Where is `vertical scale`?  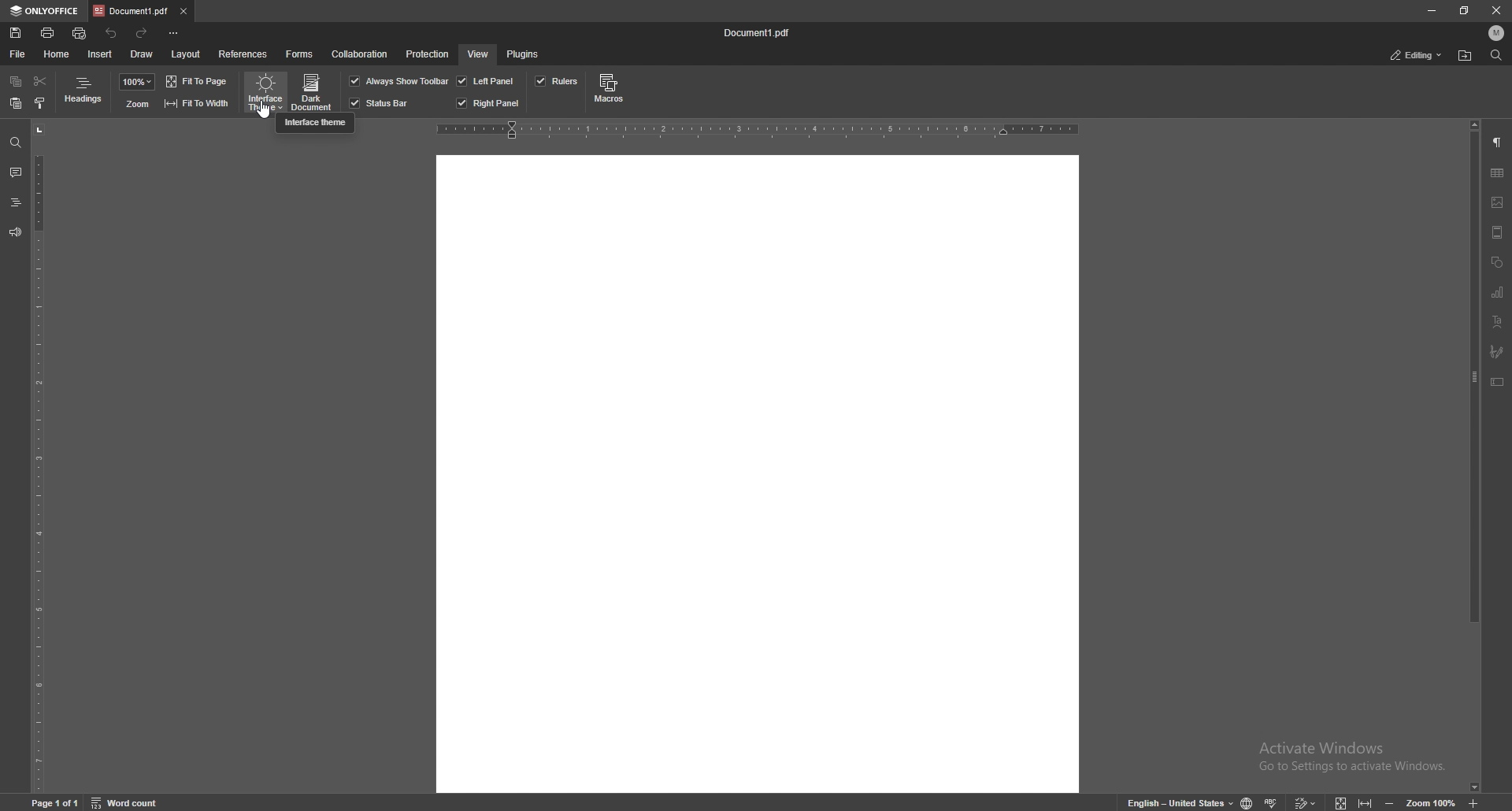
vertical scale is located at coordinates (39, 457).